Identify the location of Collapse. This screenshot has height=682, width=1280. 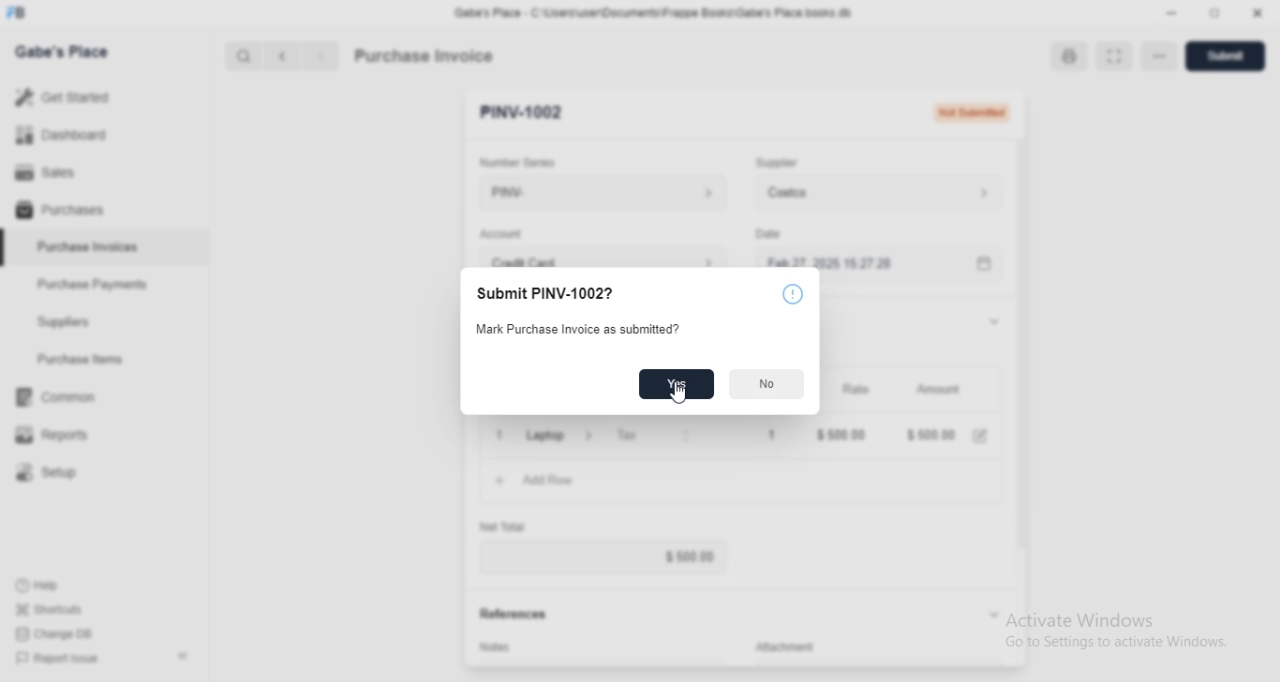
(994, 321).